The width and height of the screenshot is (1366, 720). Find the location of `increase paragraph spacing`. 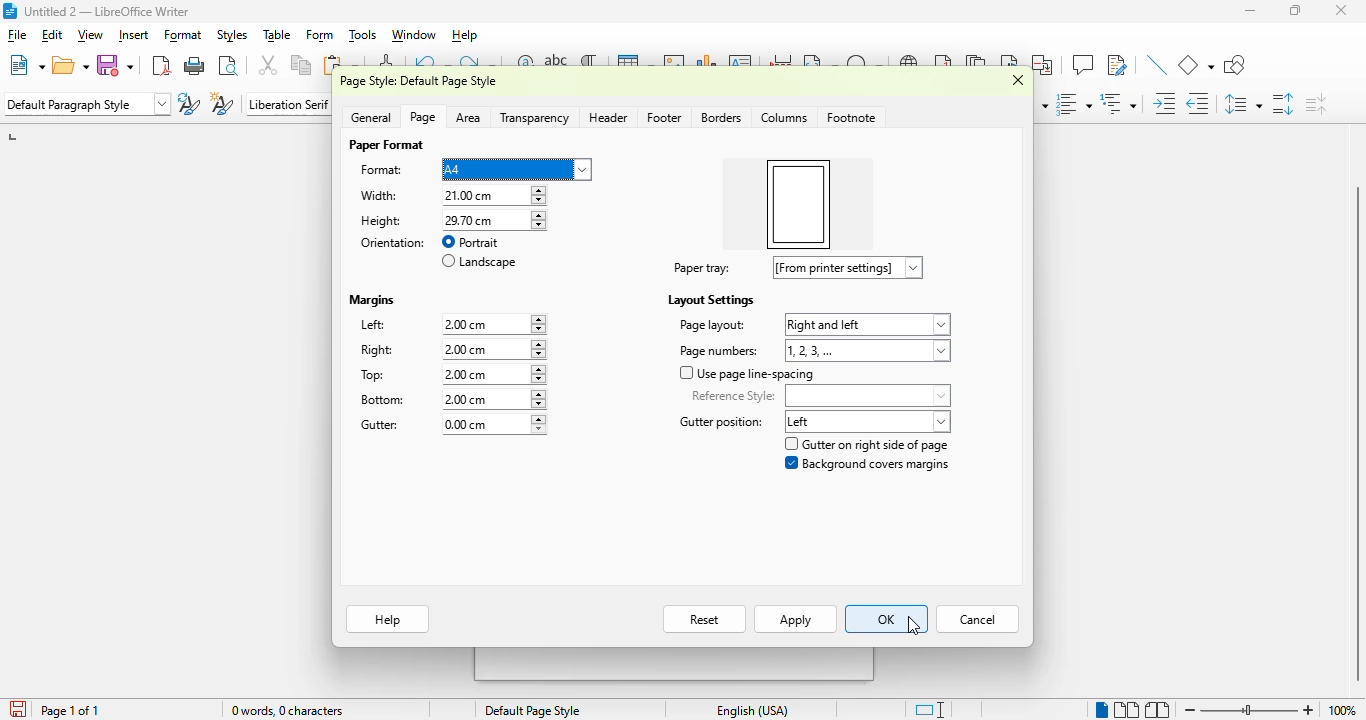

increase paragraph spacing is located at coordinates (1283, 103).